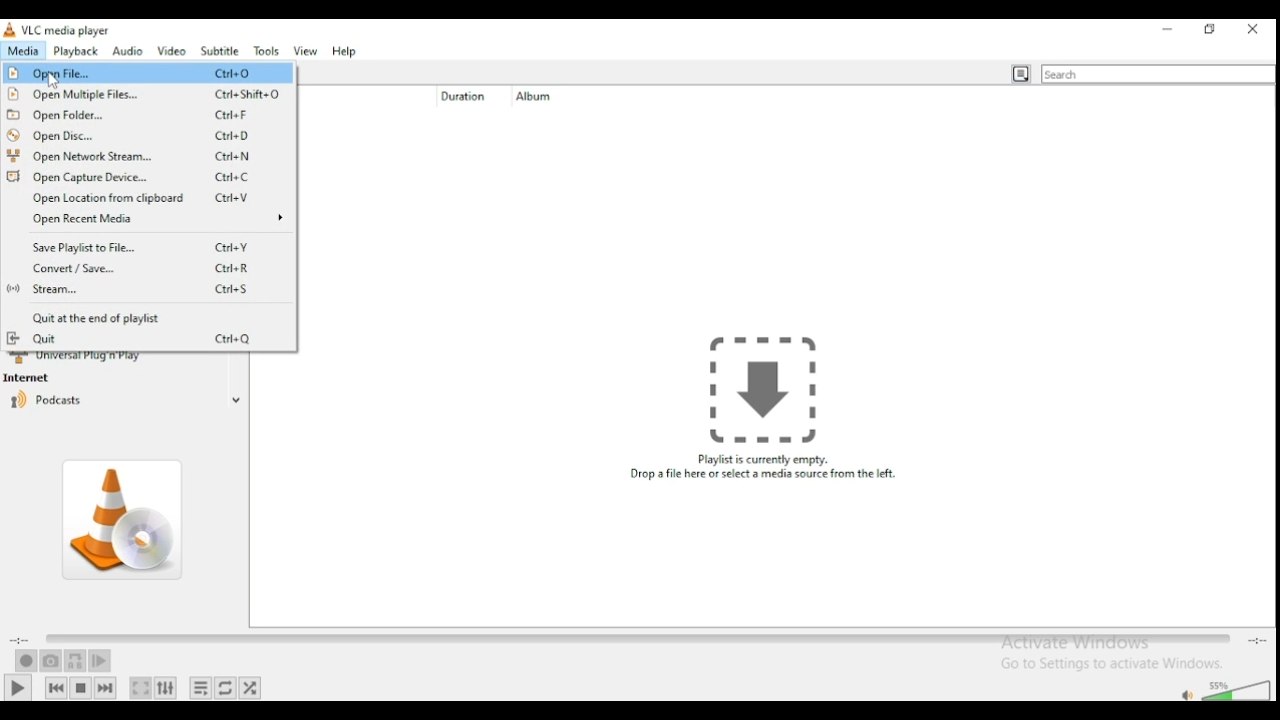 This screenshot has width=1280, height=720. What do you see at coordinates (150, 95) in the screenshot?
I see `open multiple files` at bounding box center [150, 95].